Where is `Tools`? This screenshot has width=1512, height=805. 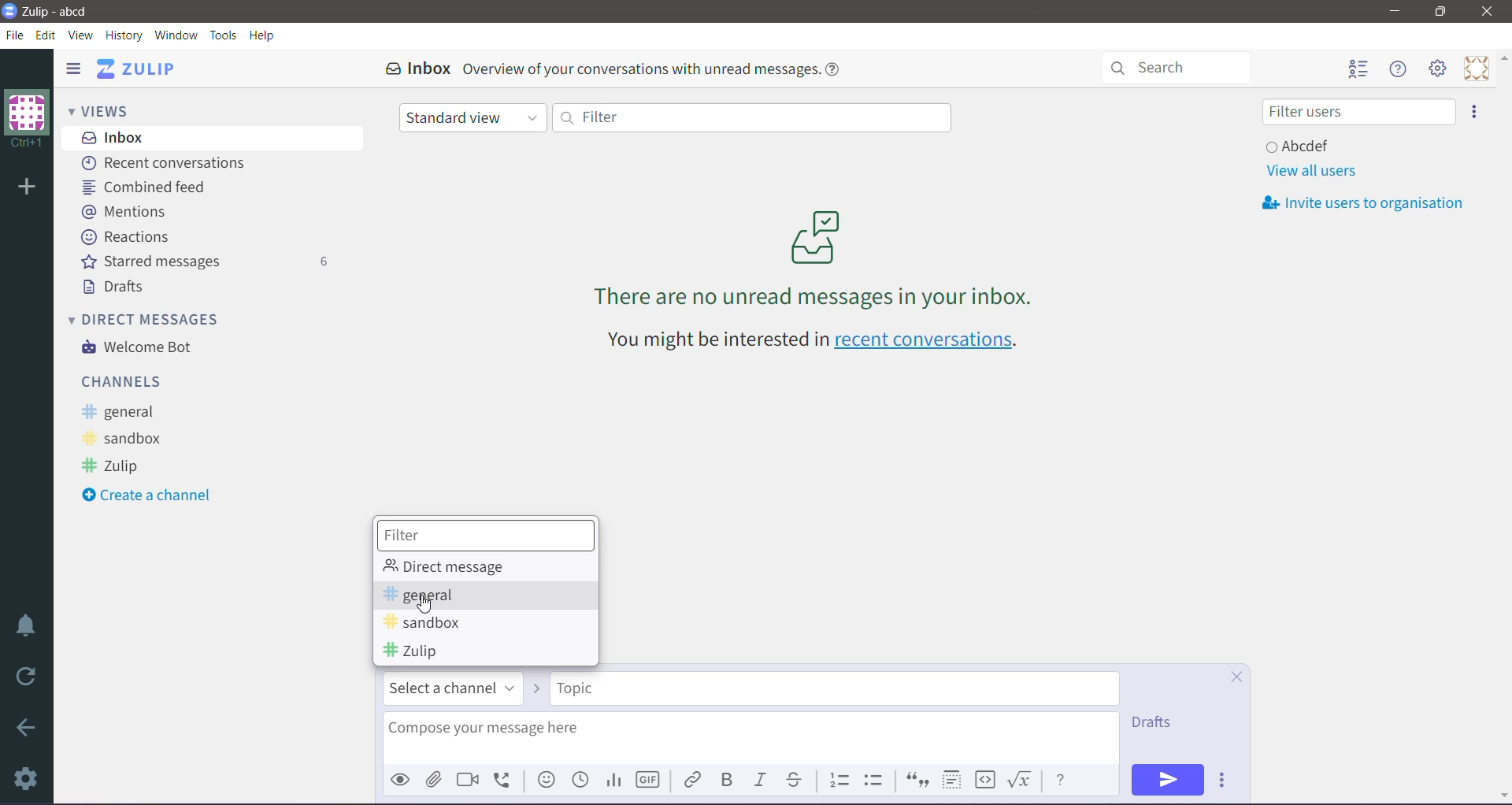
Tools is located at coordinates (224, 35).